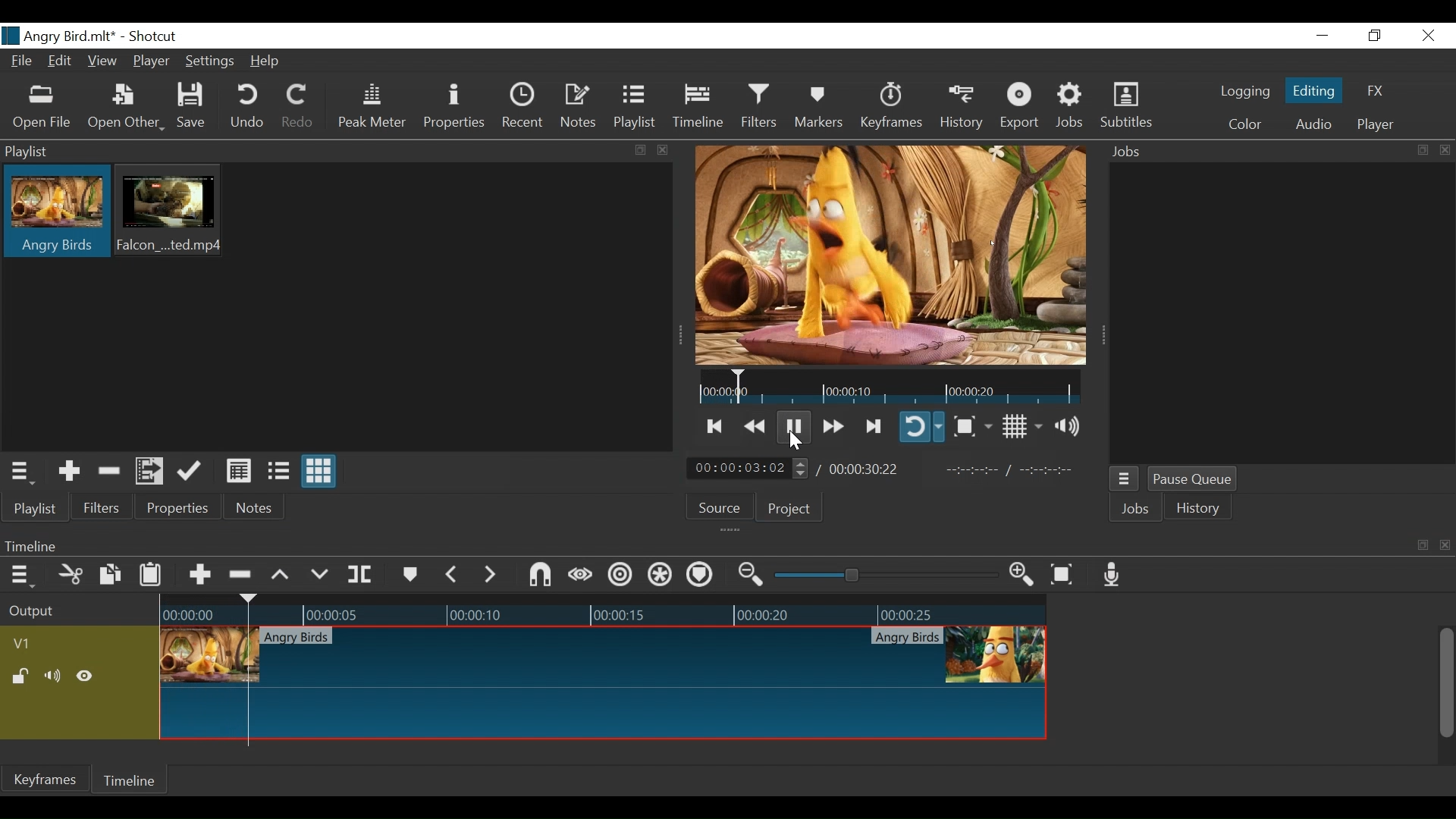 The width and height of the screenshot is (1456, 819). I want to click on Notes, so click(256, 510).